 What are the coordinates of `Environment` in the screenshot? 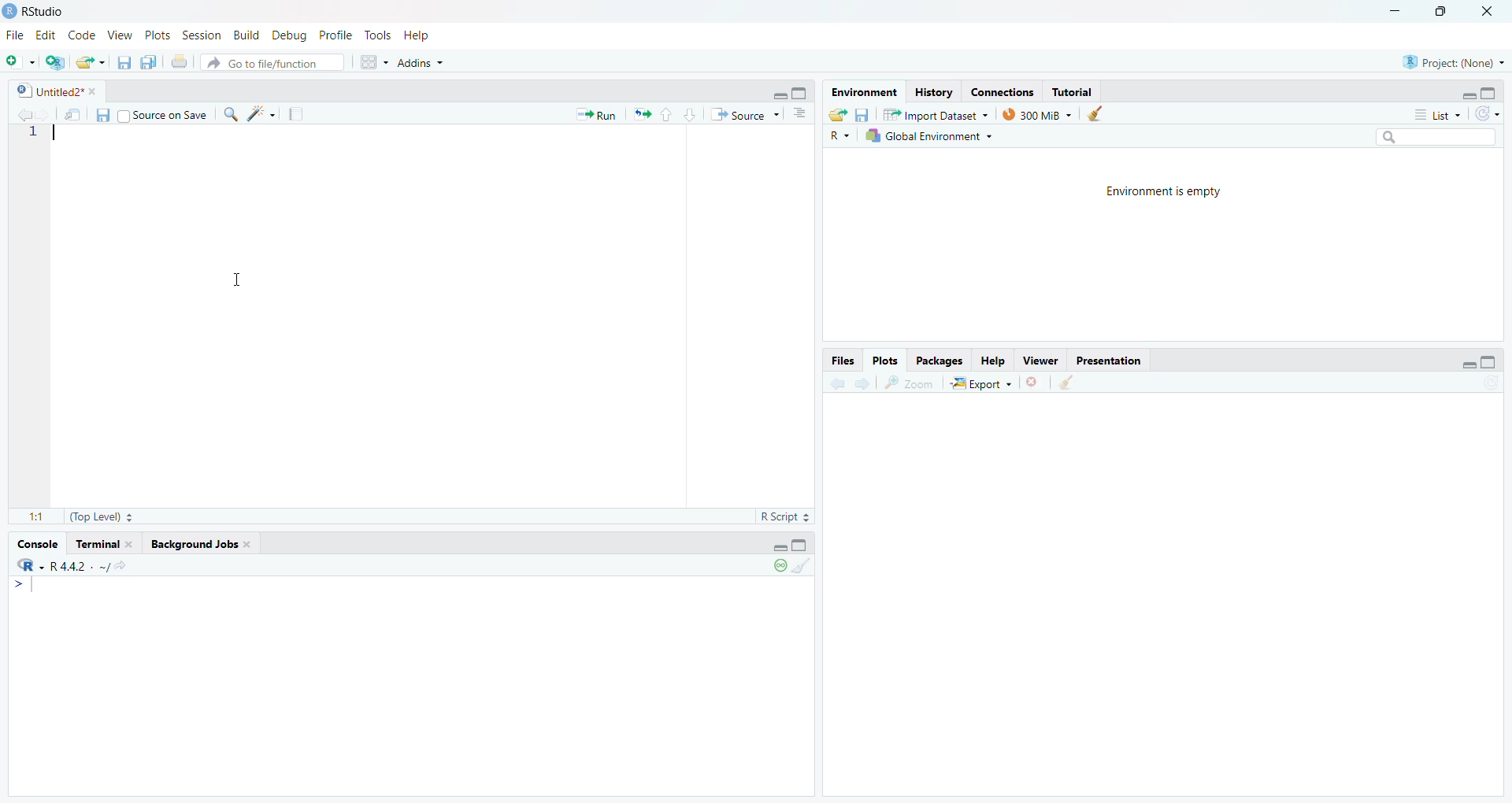 It's located at (862, 92).